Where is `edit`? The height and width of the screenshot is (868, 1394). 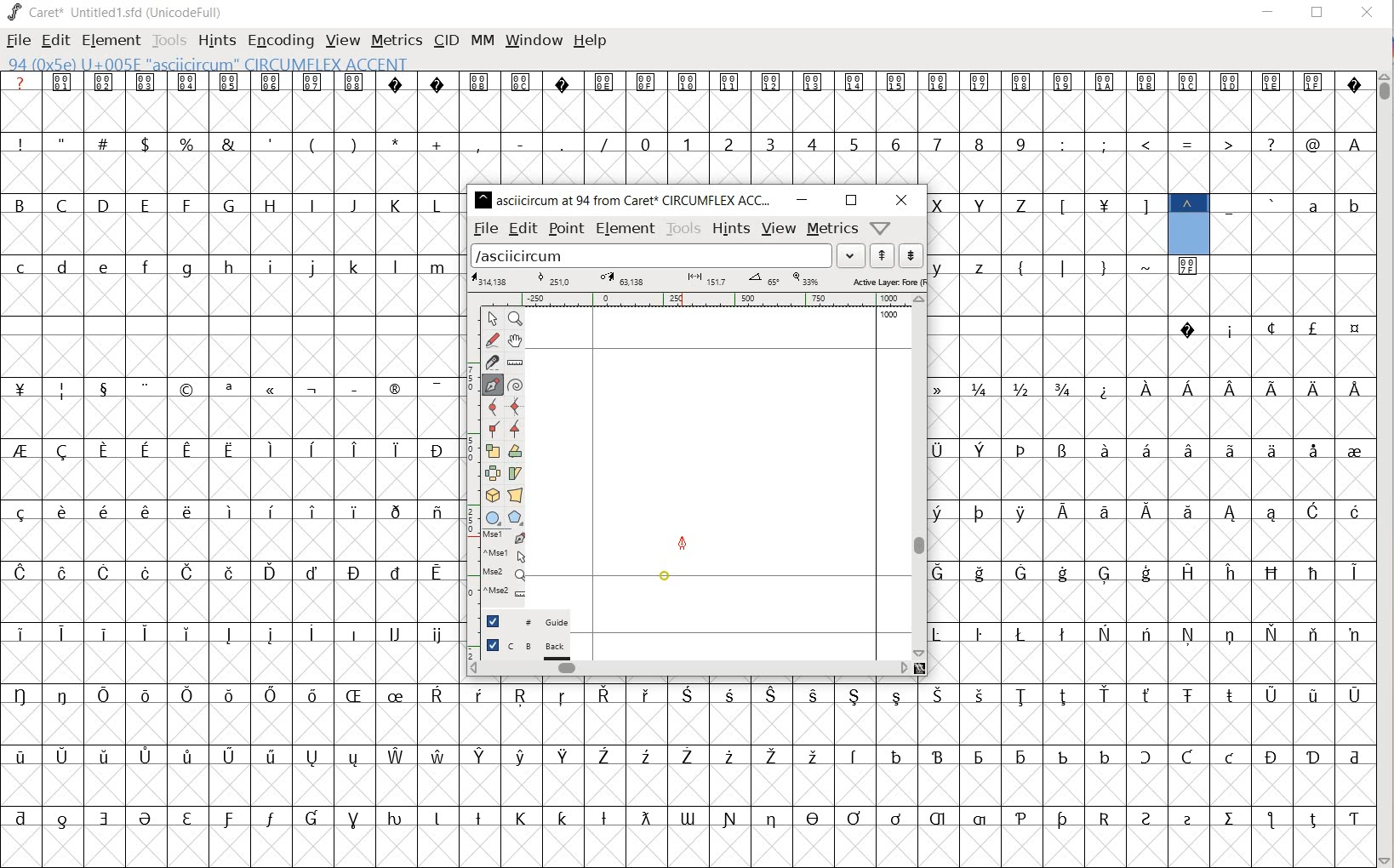
edit is located at coordinates (523, 229).